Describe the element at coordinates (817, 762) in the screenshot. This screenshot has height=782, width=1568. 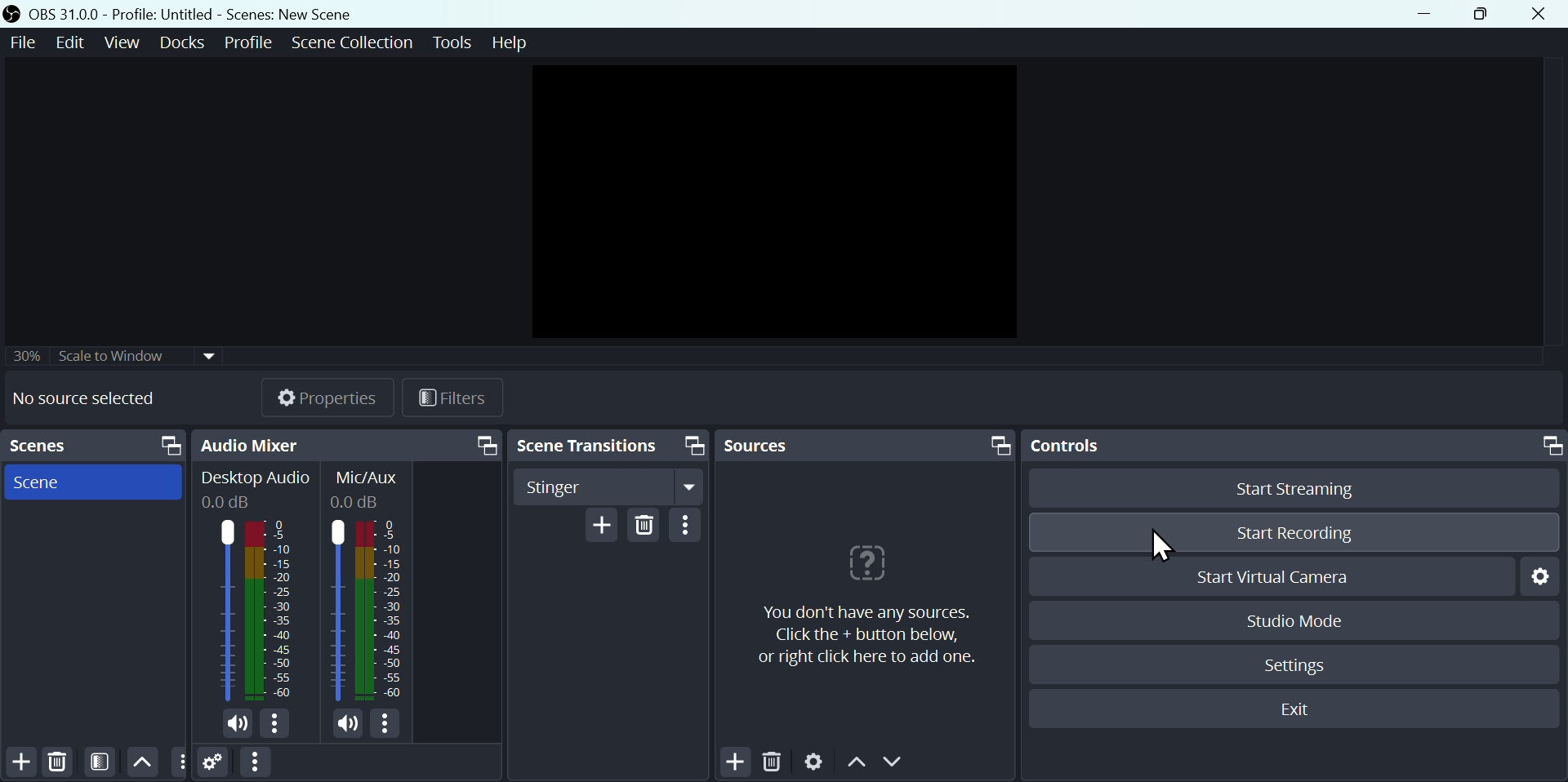
I see `Settings` at that location.